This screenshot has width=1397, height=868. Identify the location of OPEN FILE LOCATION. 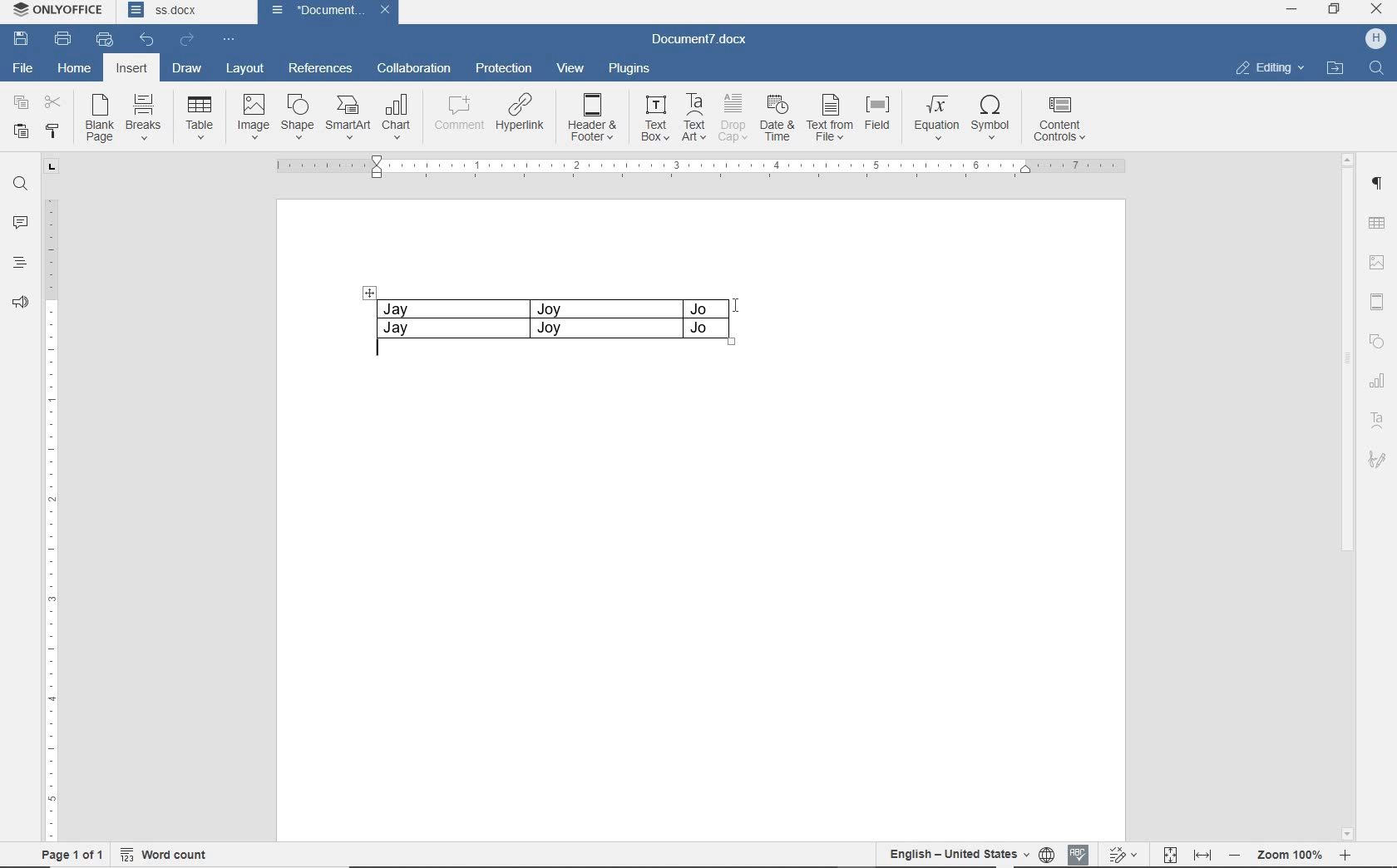
(1335, 72).